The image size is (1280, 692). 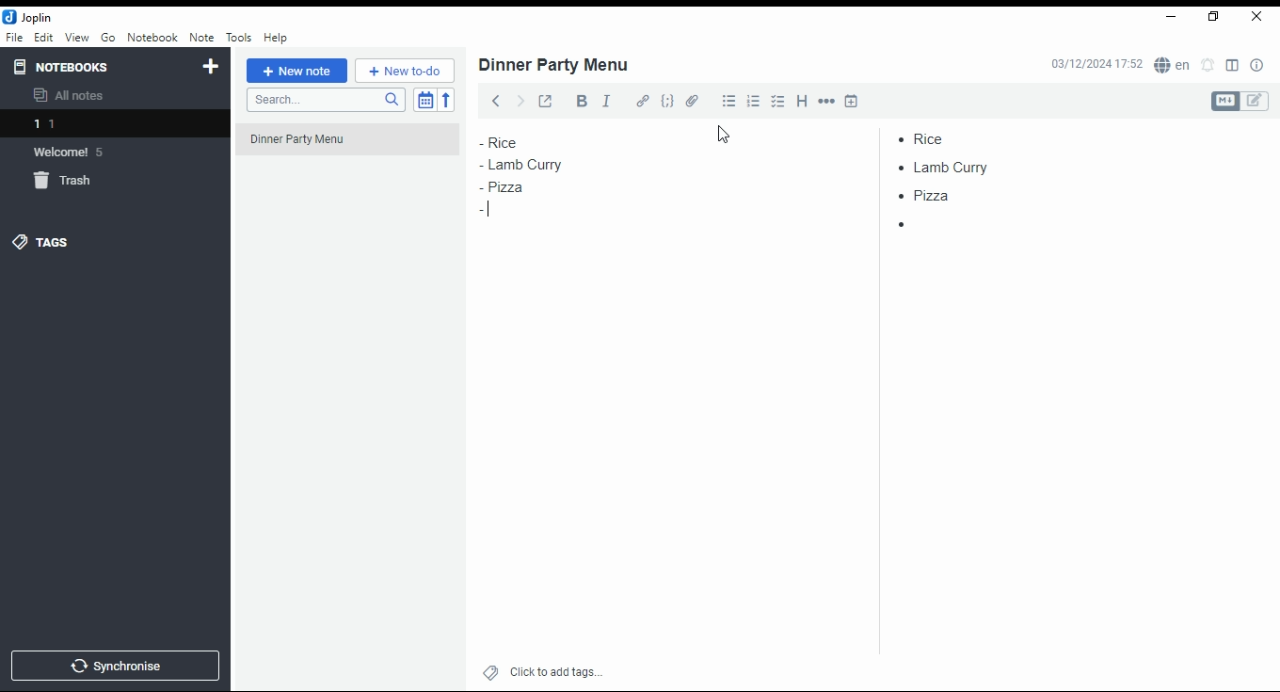 I want to click on edit, so click(x=44, y=37).